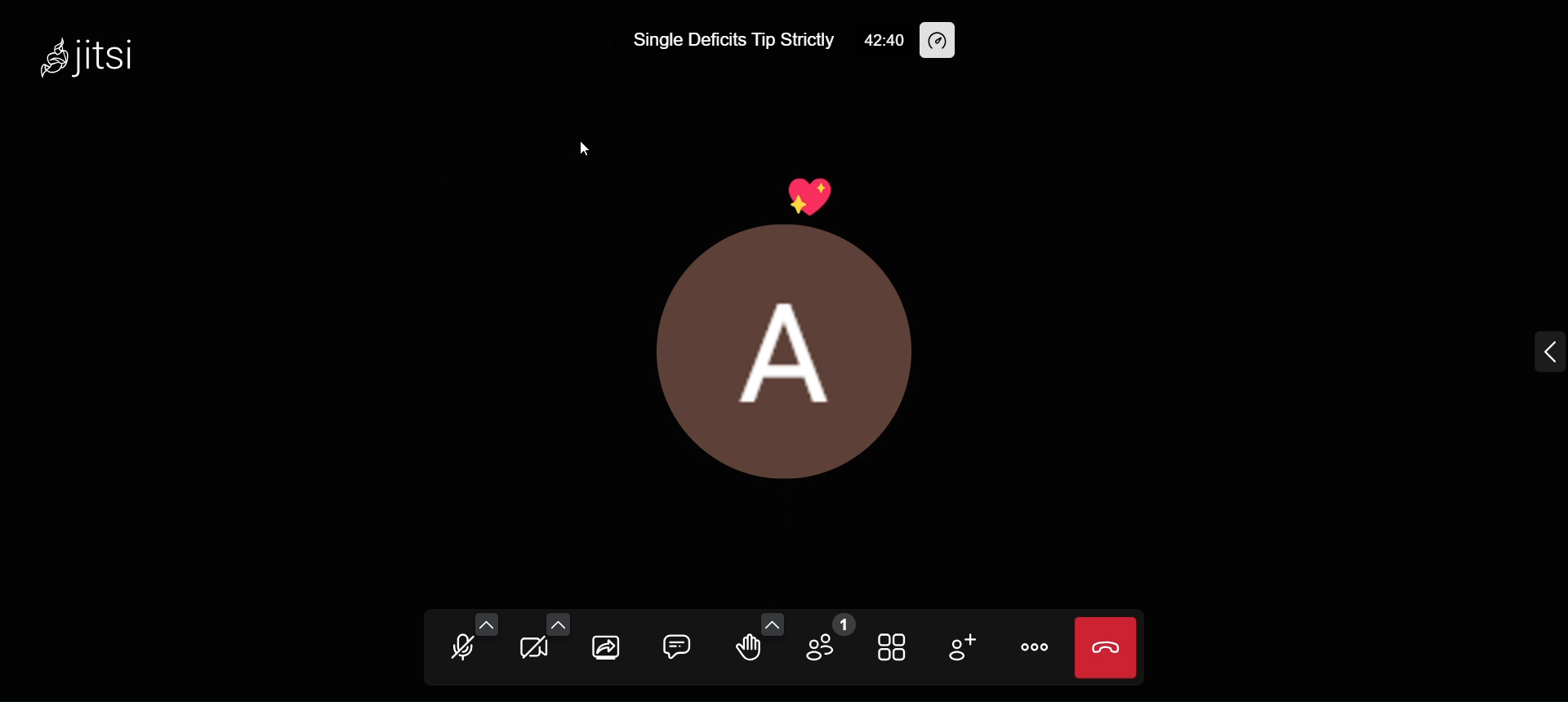  Describe the element at coordinates (792, 362) in the screenshot. I see `display picture` at that location.